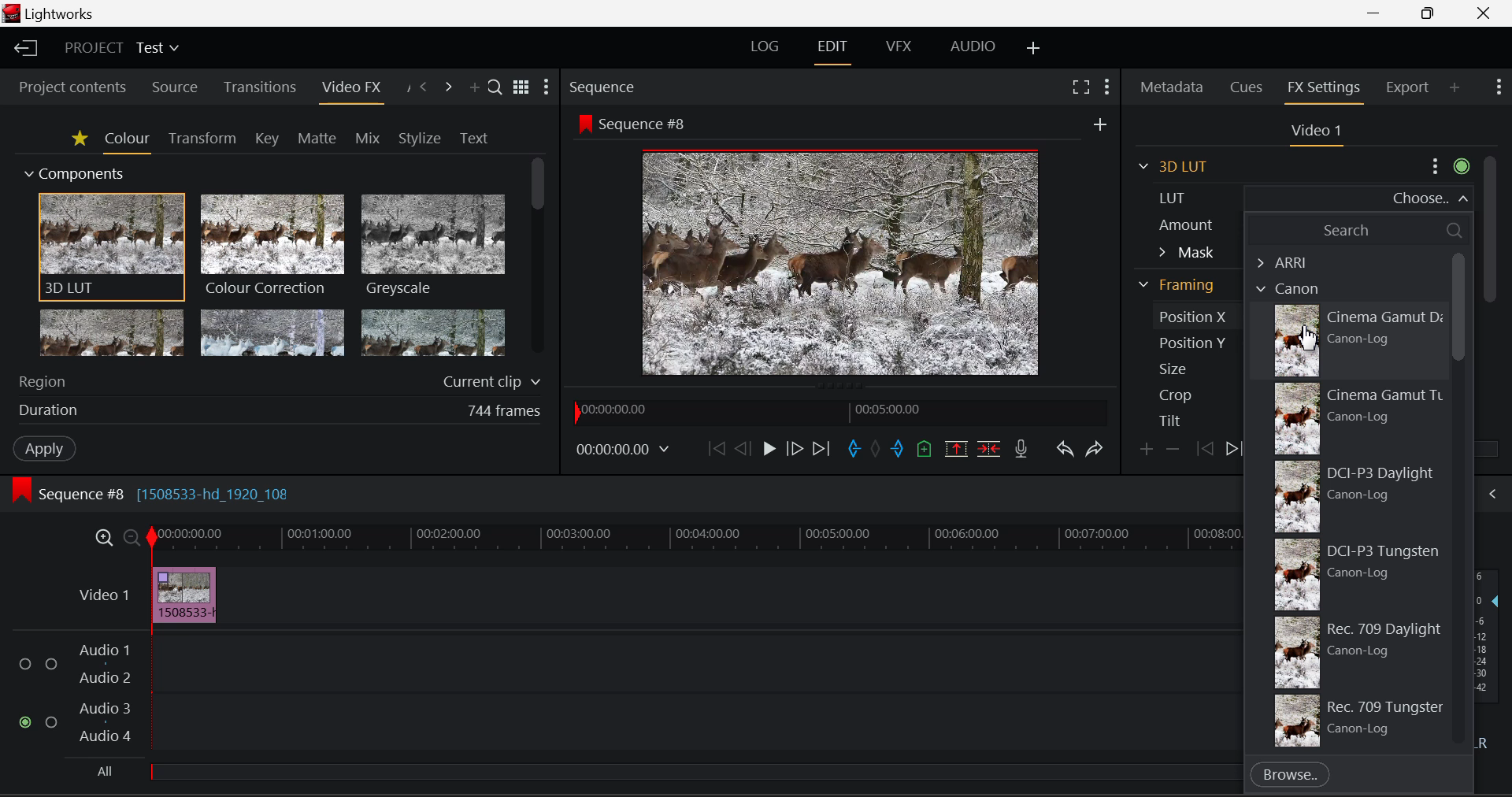 The image size is (1512, 797). I want to click on Scroll Bar, so click(1492, 289).